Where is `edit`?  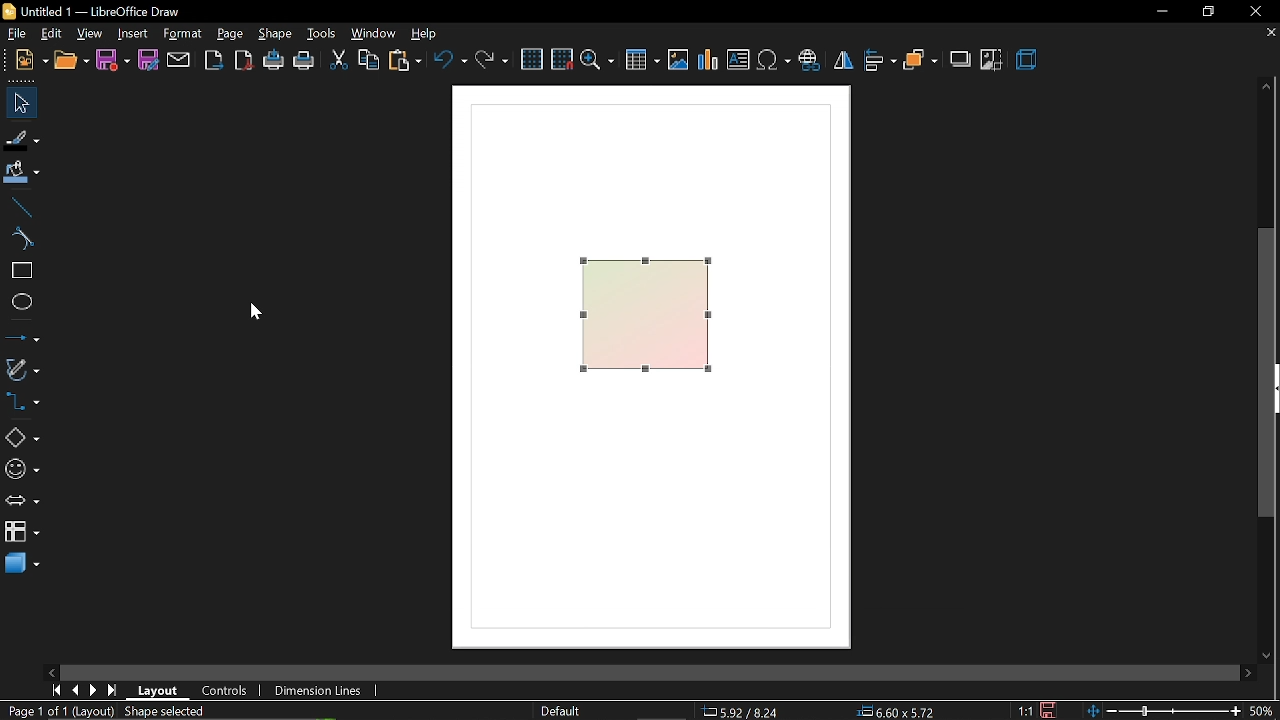 edit is located at coordinates (51, 34).